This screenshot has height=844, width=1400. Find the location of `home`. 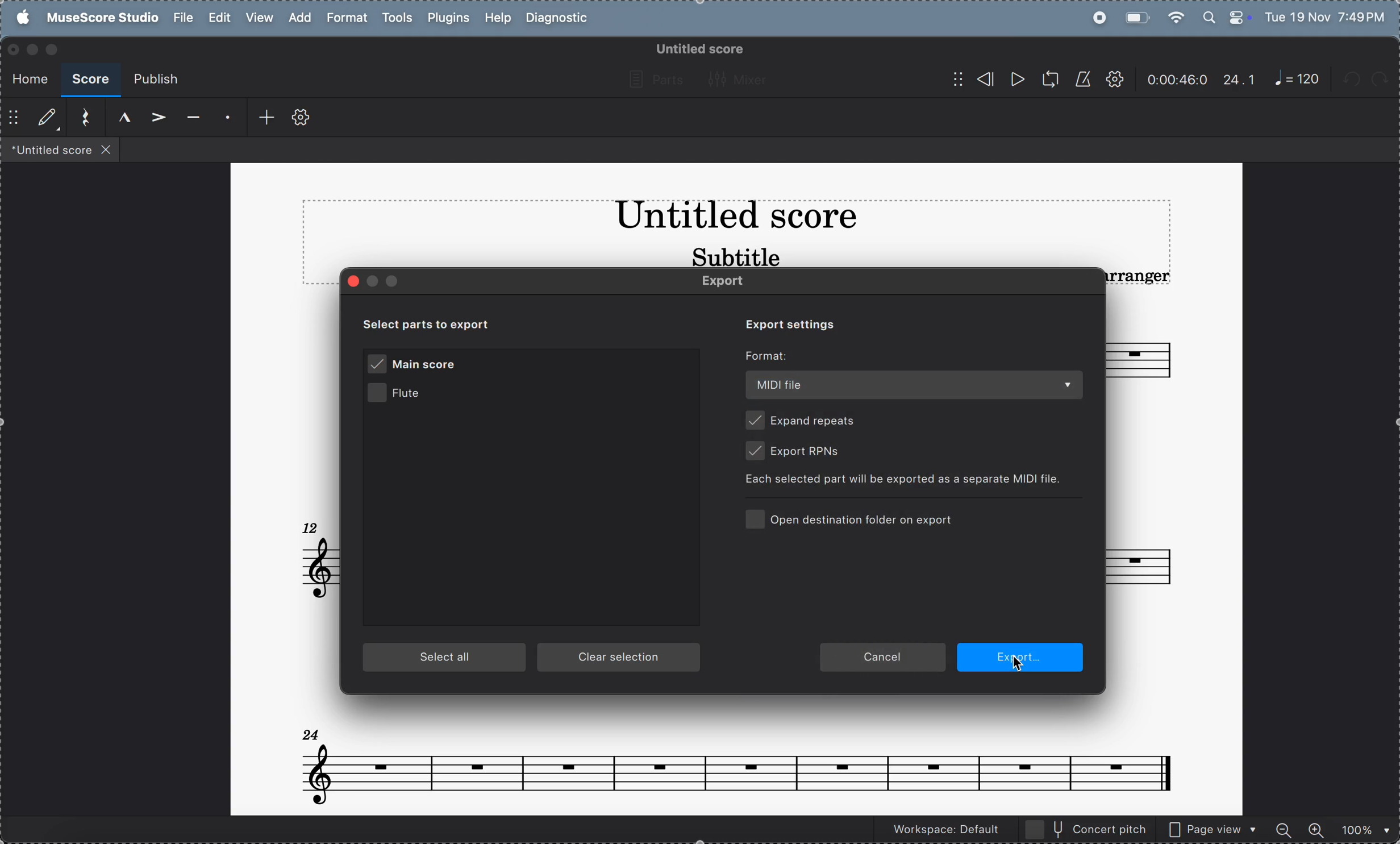

home is located at coordinates (27, 77).